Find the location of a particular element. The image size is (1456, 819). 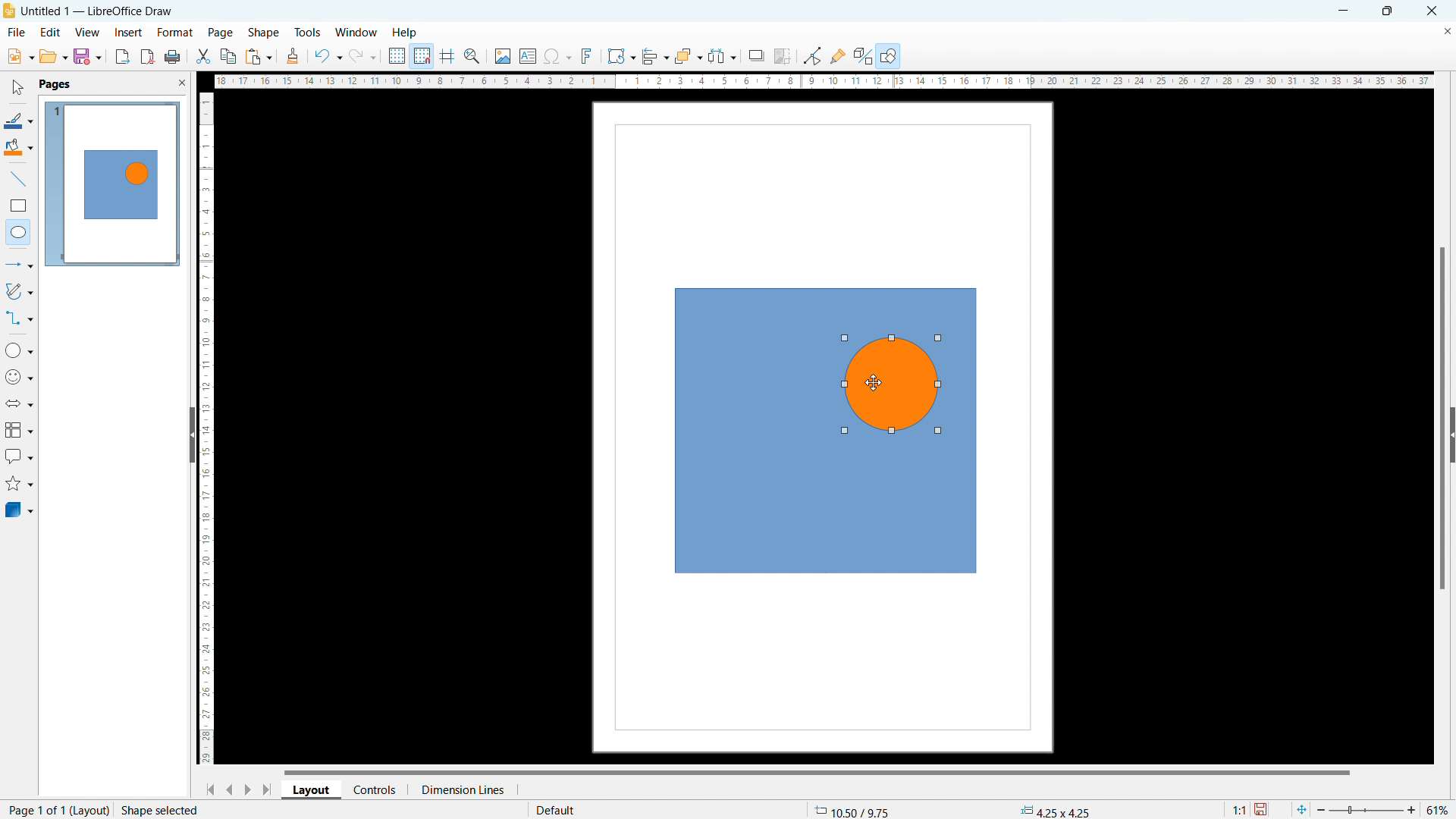

default is located at coordinates (554, 809).